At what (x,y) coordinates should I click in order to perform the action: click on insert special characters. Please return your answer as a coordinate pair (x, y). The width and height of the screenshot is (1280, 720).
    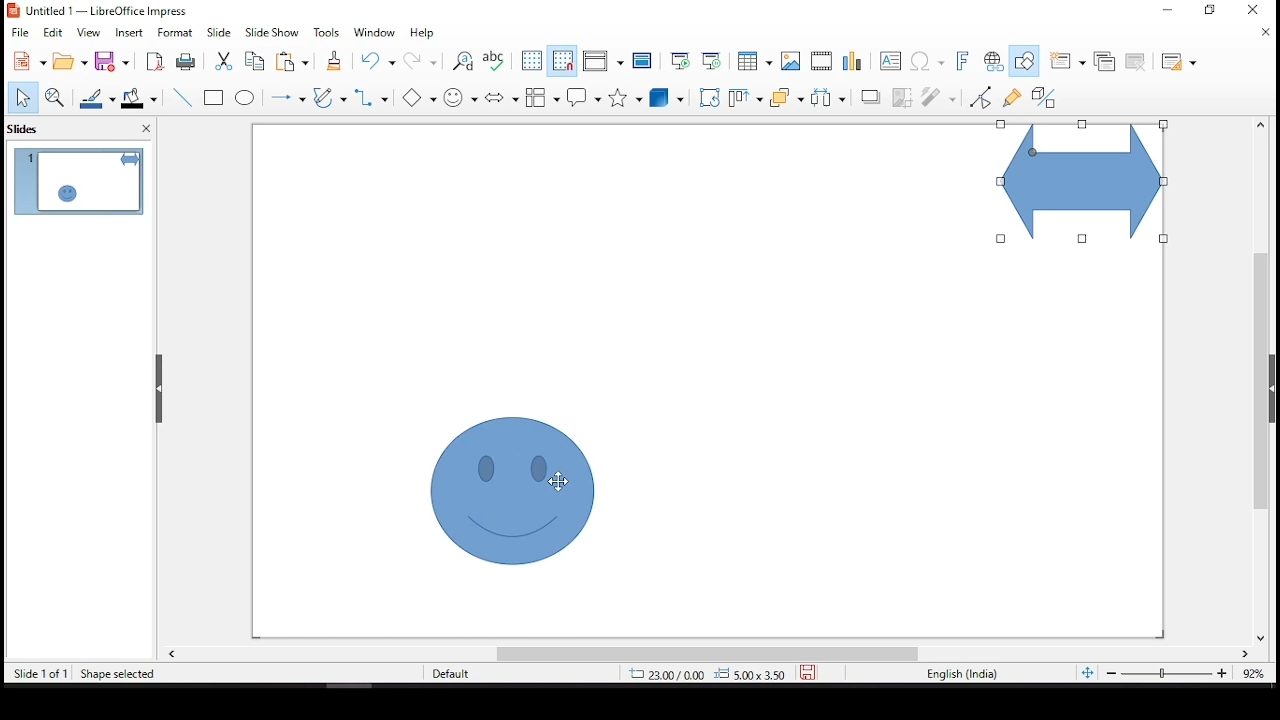
    Looking at the image, I should click on (929, 62).